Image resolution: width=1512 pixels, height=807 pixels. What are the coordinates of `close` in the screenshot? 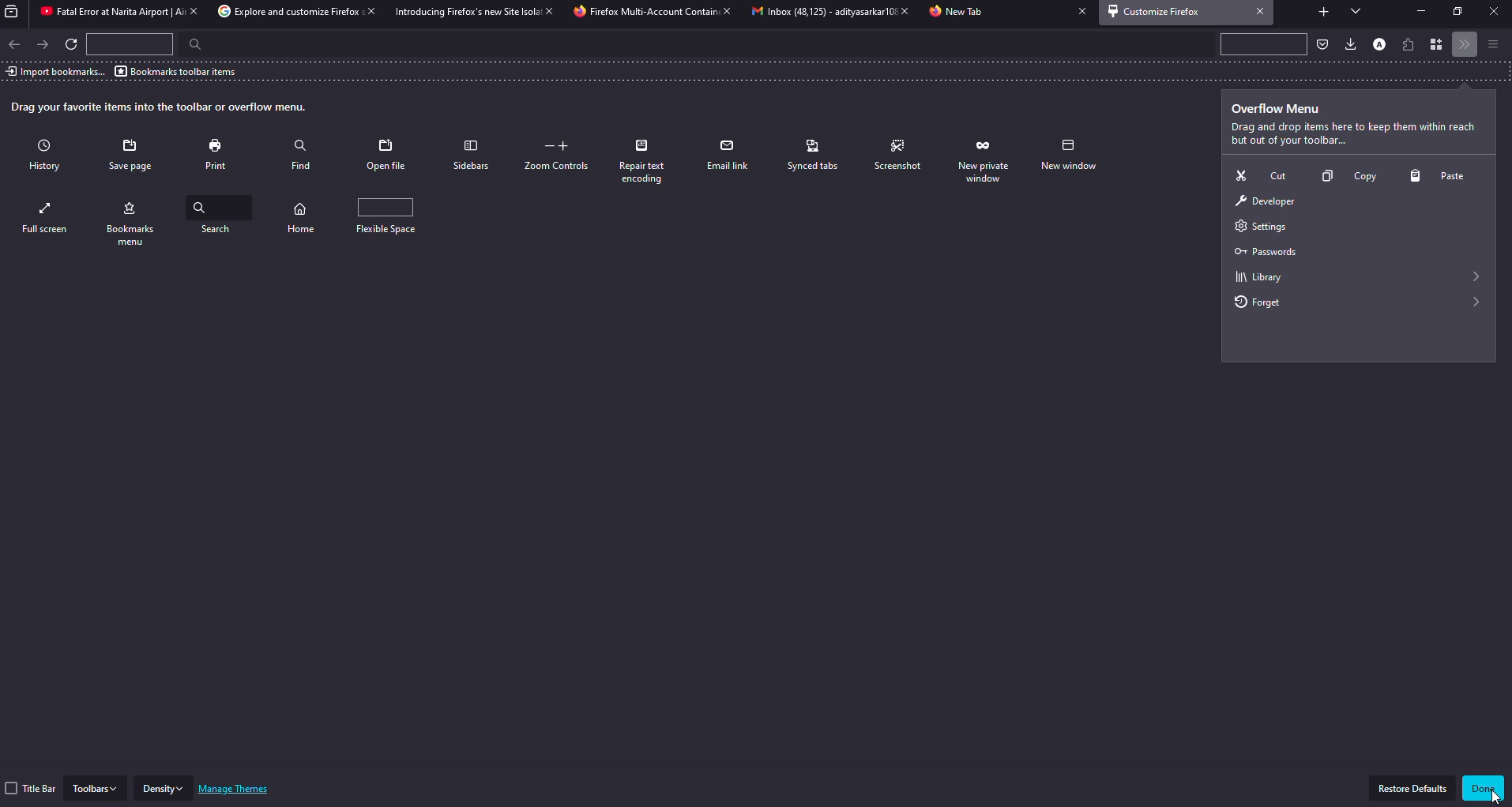 It's located at (900, 11).